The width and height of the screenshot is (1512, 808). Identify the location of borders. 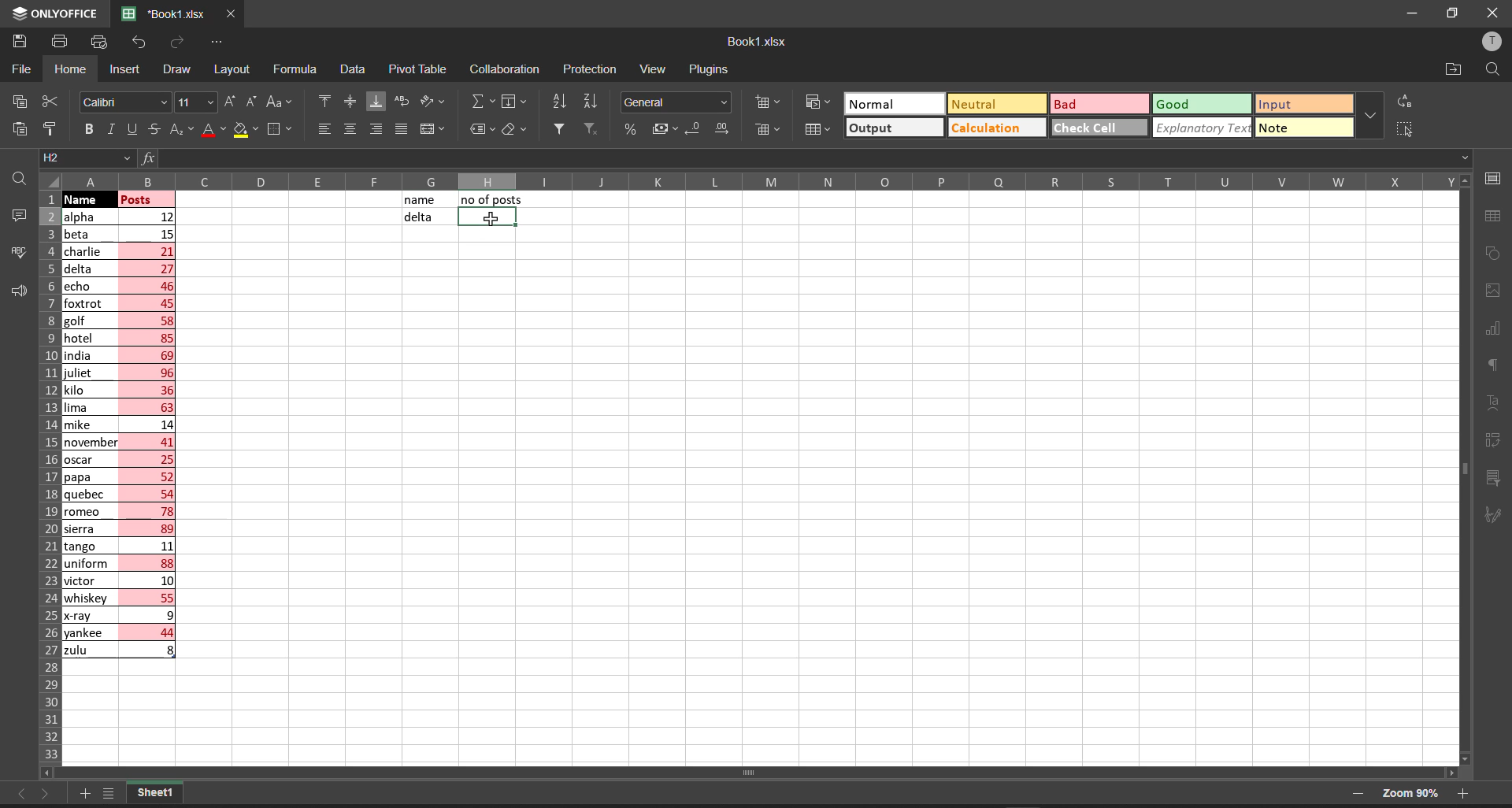
(282, 130).